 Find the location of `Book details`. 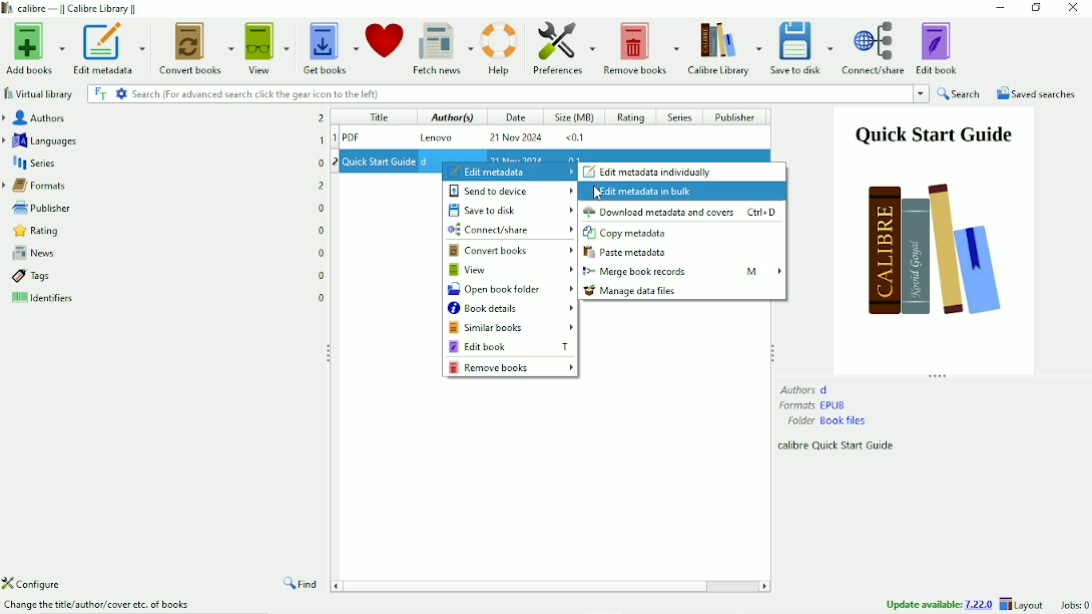

Book details is located at coordinates (511, 309).